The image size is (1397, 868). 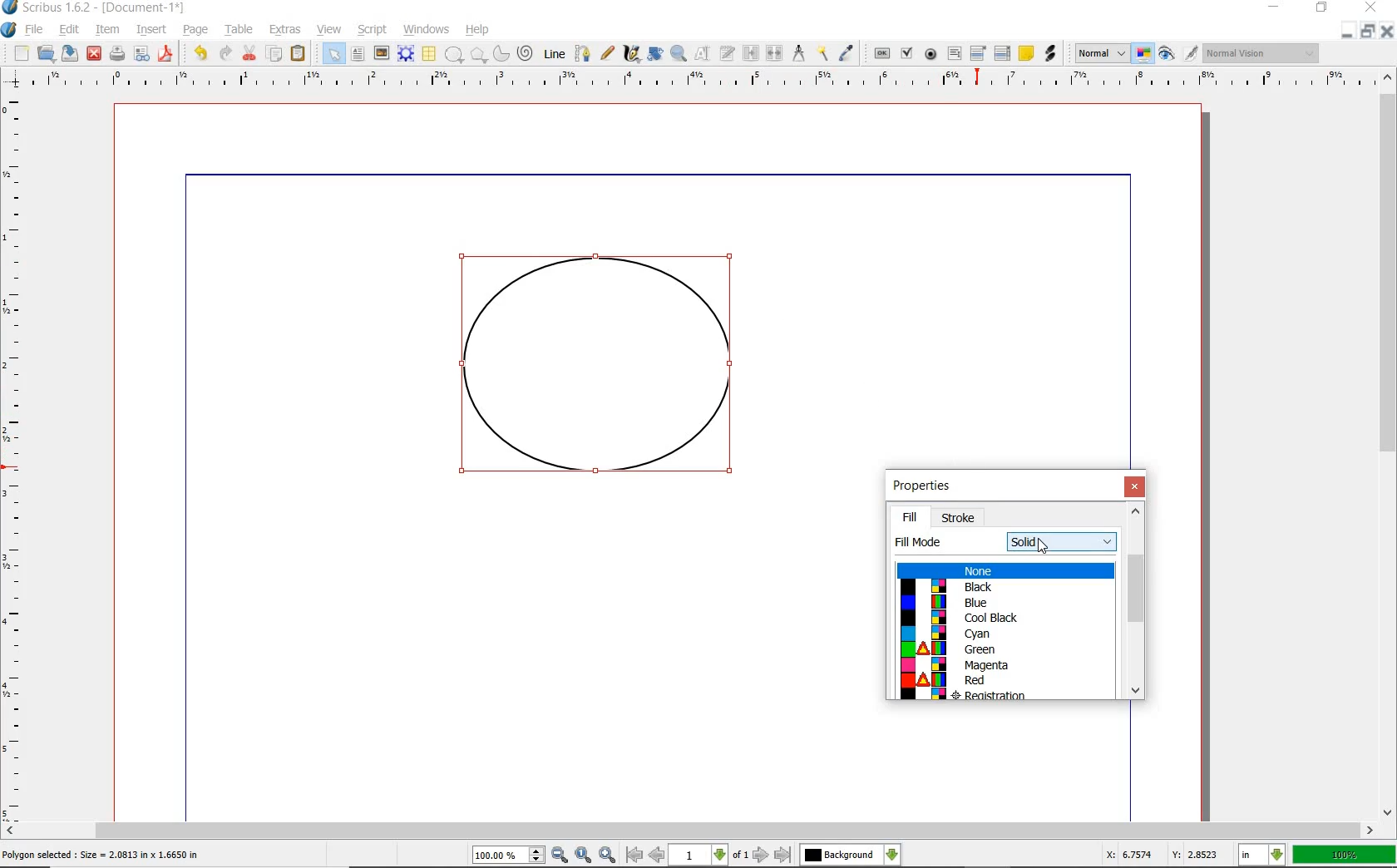 What do you see at coordinates (954, 53) in the screenshot?
I see `PDF TEXT FIELD` at bounding box center [954, 53].